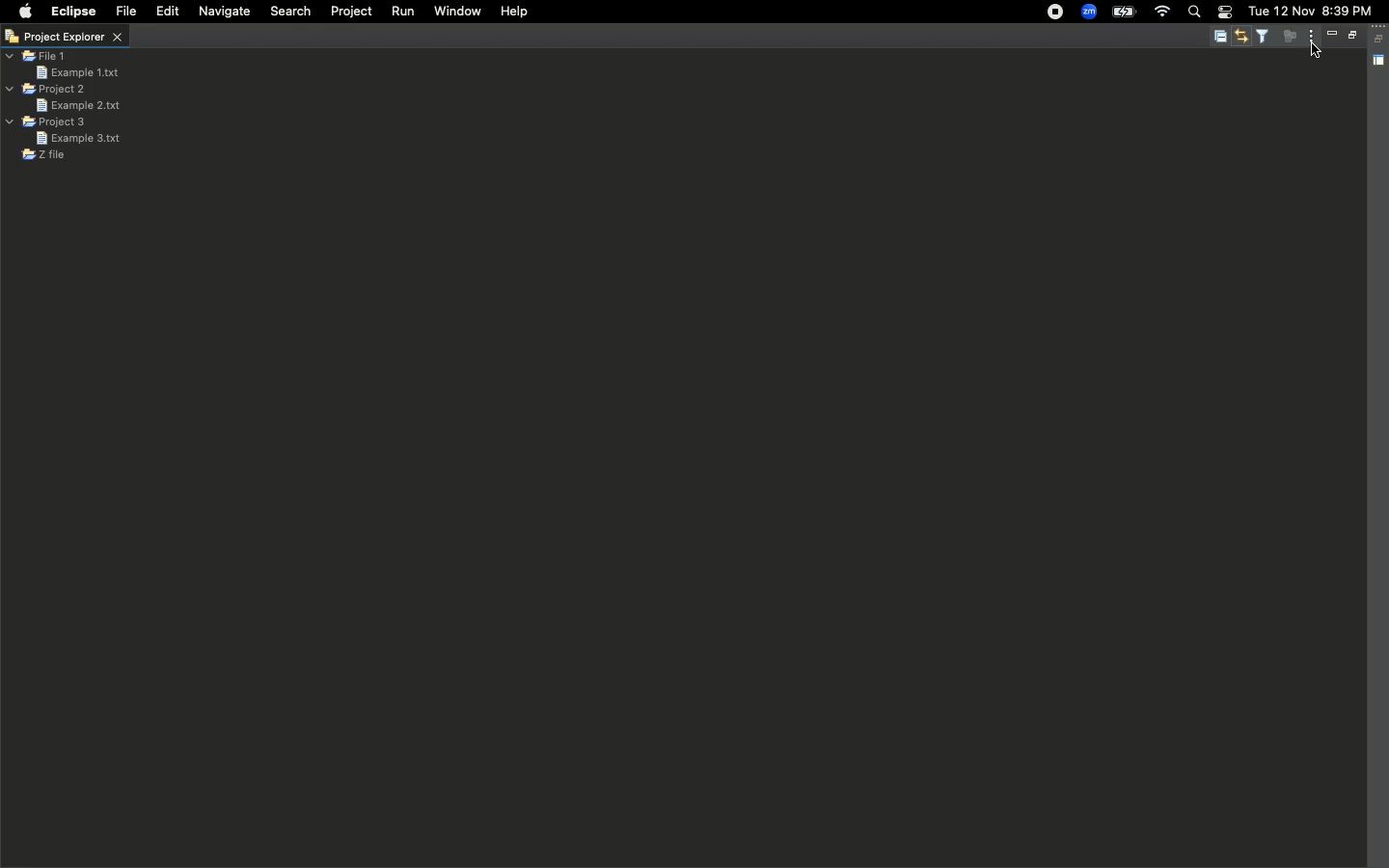 The height and width of the screenshot is (868, 1389). I want to click on Zoom, so click(1088, 12).